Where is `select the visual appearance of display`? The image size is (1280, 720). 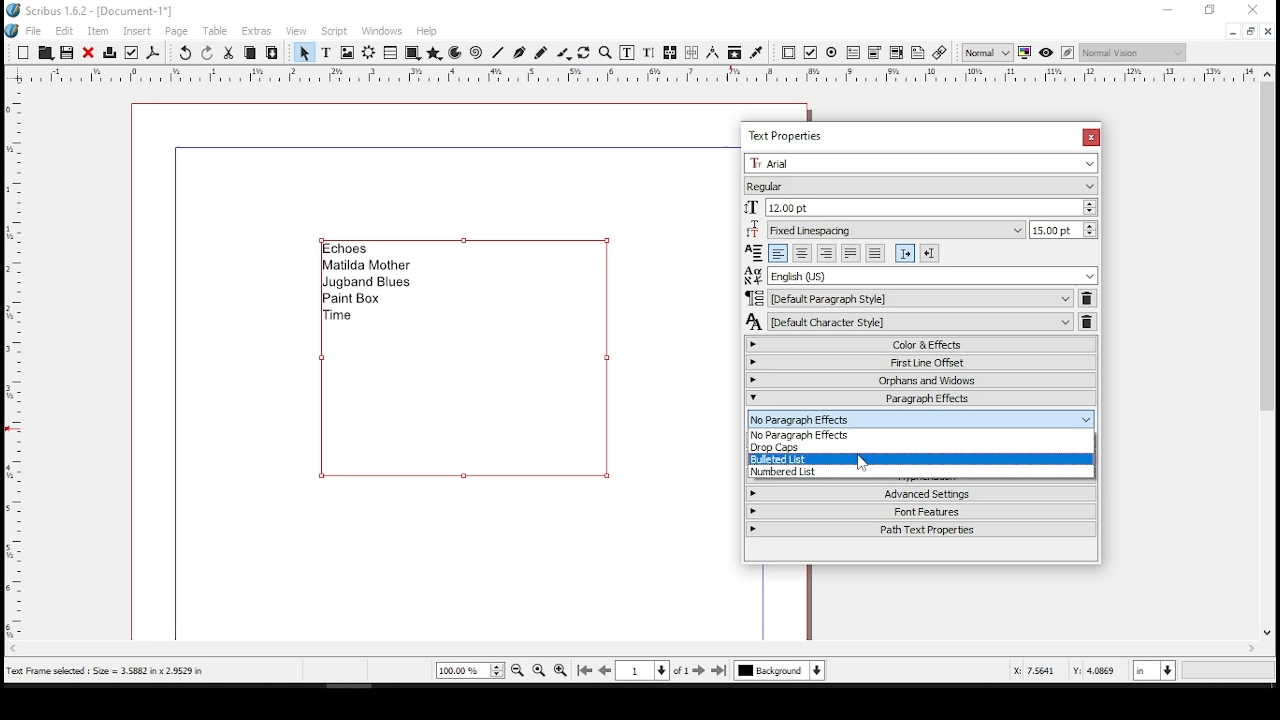 select the visual appearance of display is located at coordinates (1132, 52).